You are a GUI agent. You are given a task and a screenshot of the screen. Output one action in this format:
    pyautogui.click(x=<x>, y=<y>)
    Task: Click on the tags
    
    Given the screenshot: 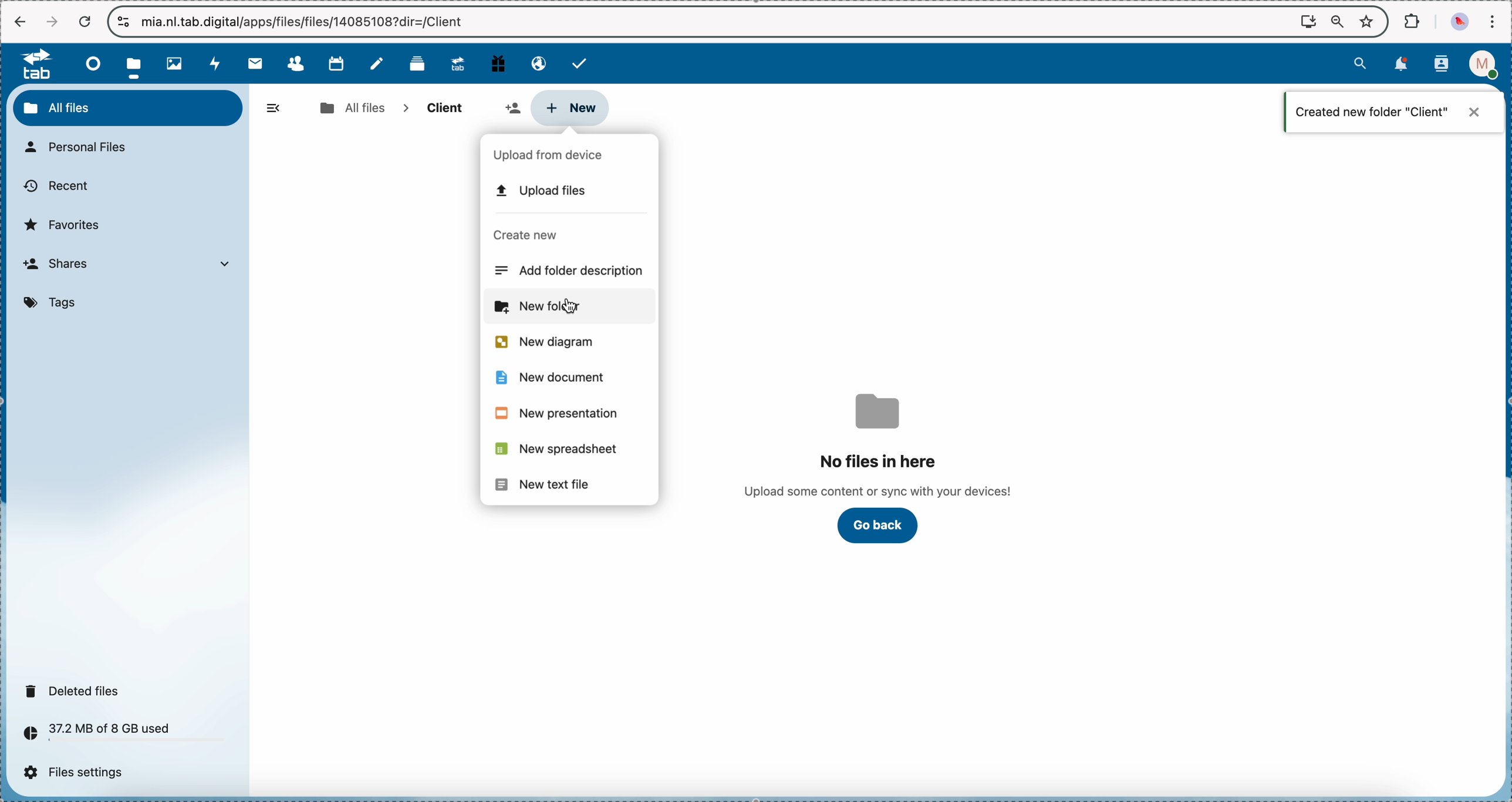 What is the action you would take?
    pyautogui.click(x=54, y=304)
    